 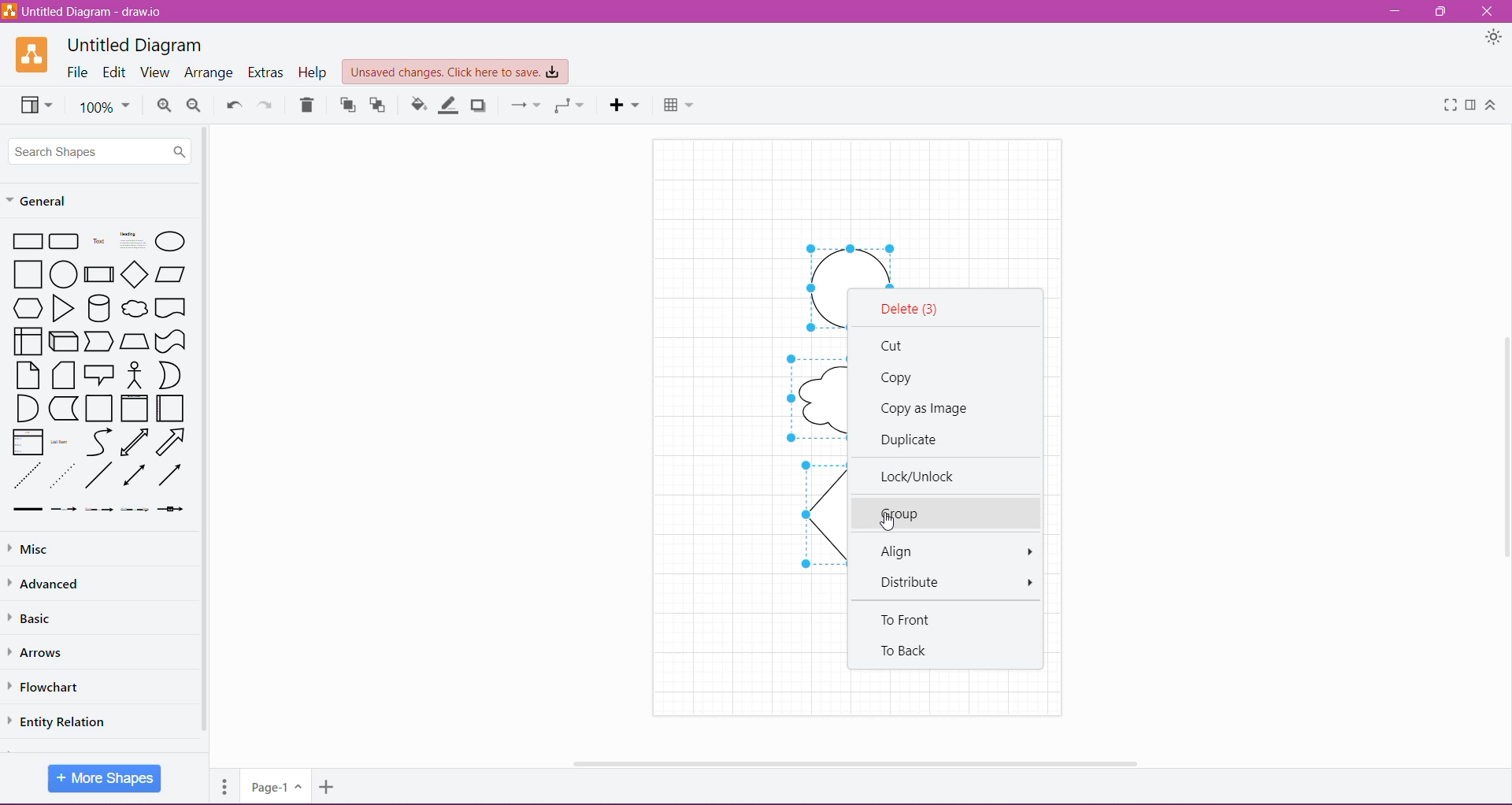 What do you see at coordinates (135, 45) in the screenshot?
I see `Untitled Diagram` at bounding box center [135, 45].